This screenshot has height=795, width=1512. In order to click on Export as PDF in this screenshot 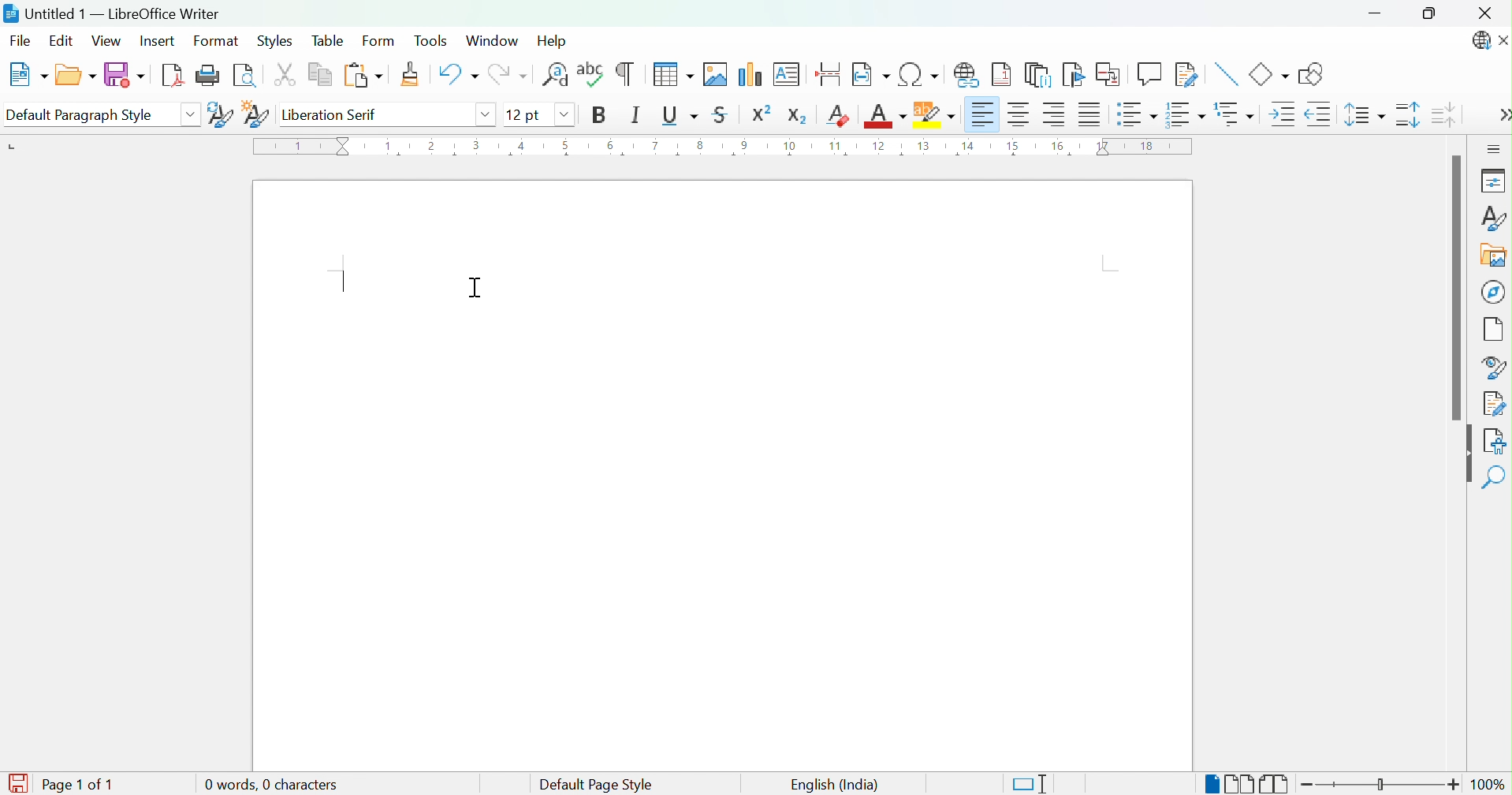, I will do `click(173, 77)`.